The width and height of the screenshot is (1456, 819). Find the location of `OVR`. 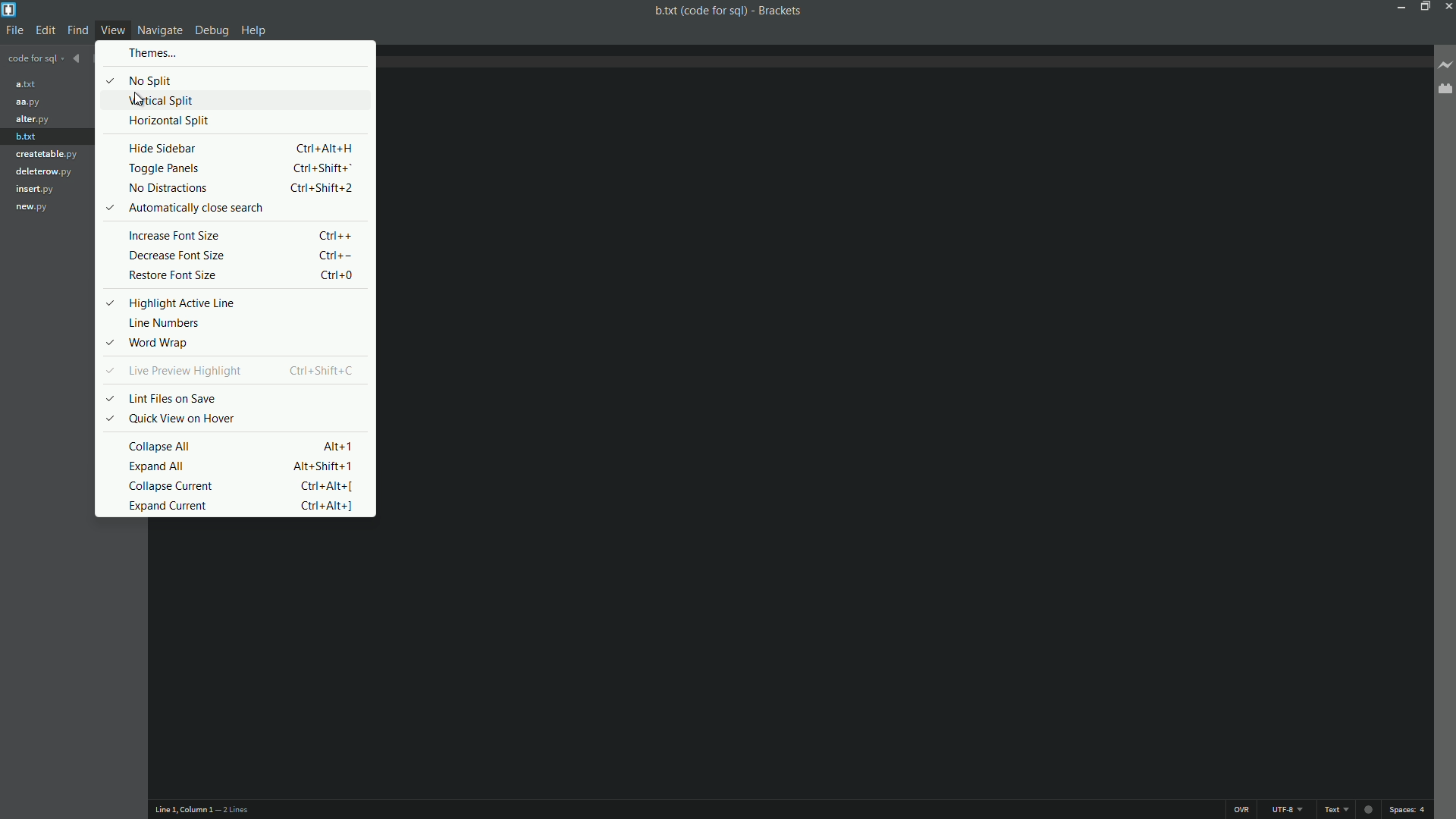

OVR is located at coordinates (1241, 808).